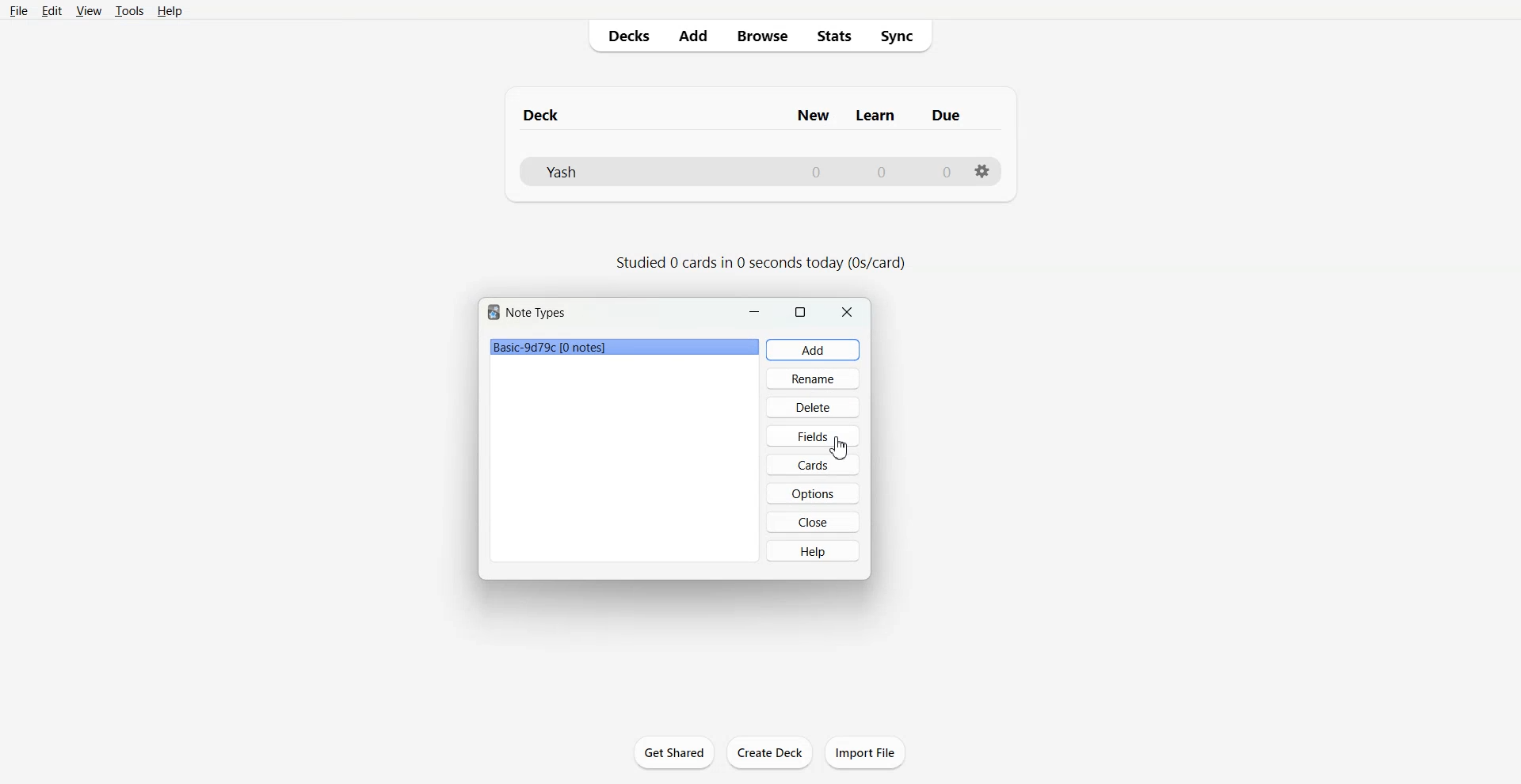 Image resolution: width=1521 pixels, height=784 pixels. What do you see at coordinates (771, 752) in the screenshot?
I see `Create Deck` at bounding box center [771, 752].